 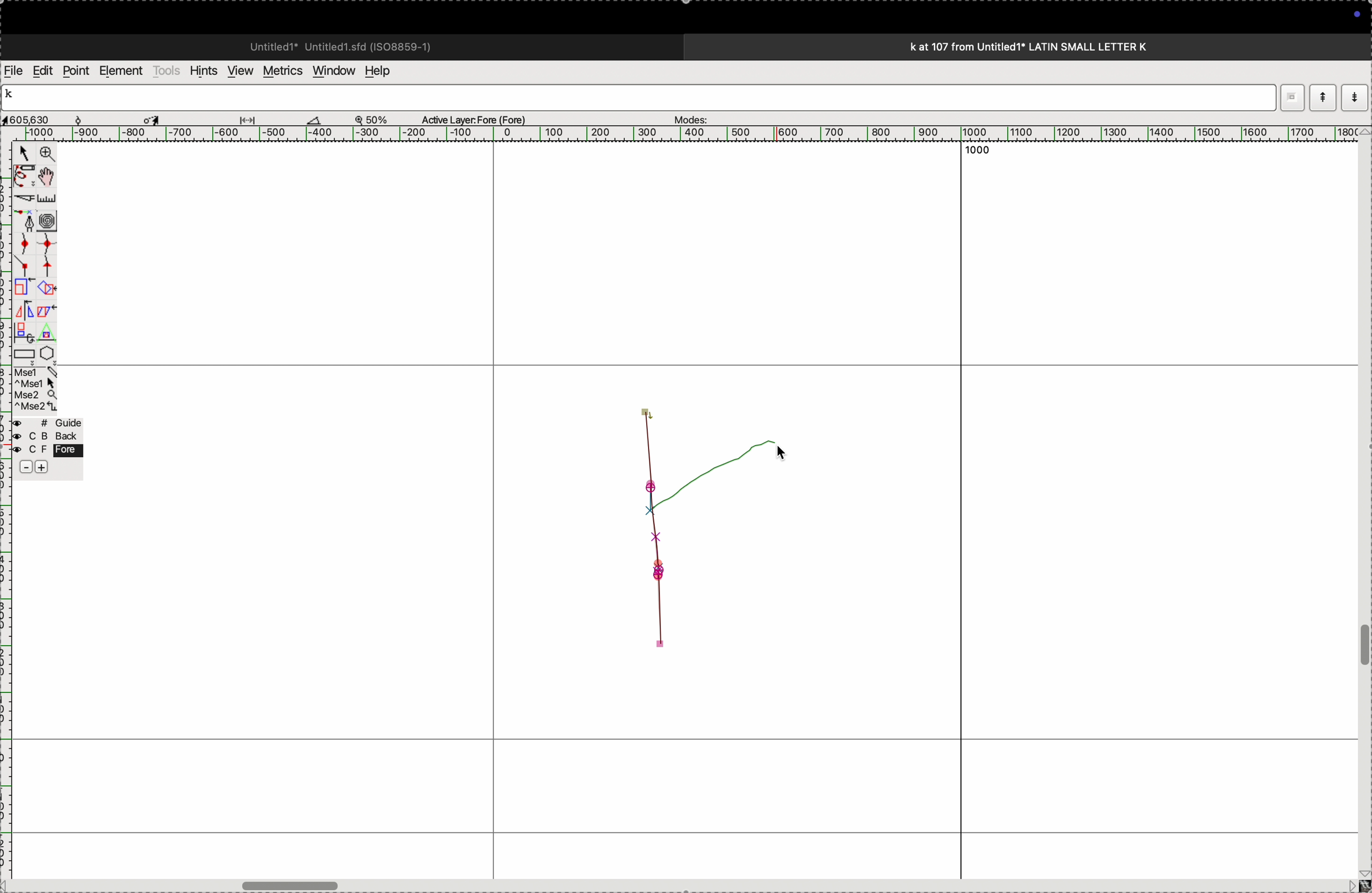 What do you see at coordinates (21, 352) in the screenshot?
I see `rectangle` at bounding box center [21, 352].